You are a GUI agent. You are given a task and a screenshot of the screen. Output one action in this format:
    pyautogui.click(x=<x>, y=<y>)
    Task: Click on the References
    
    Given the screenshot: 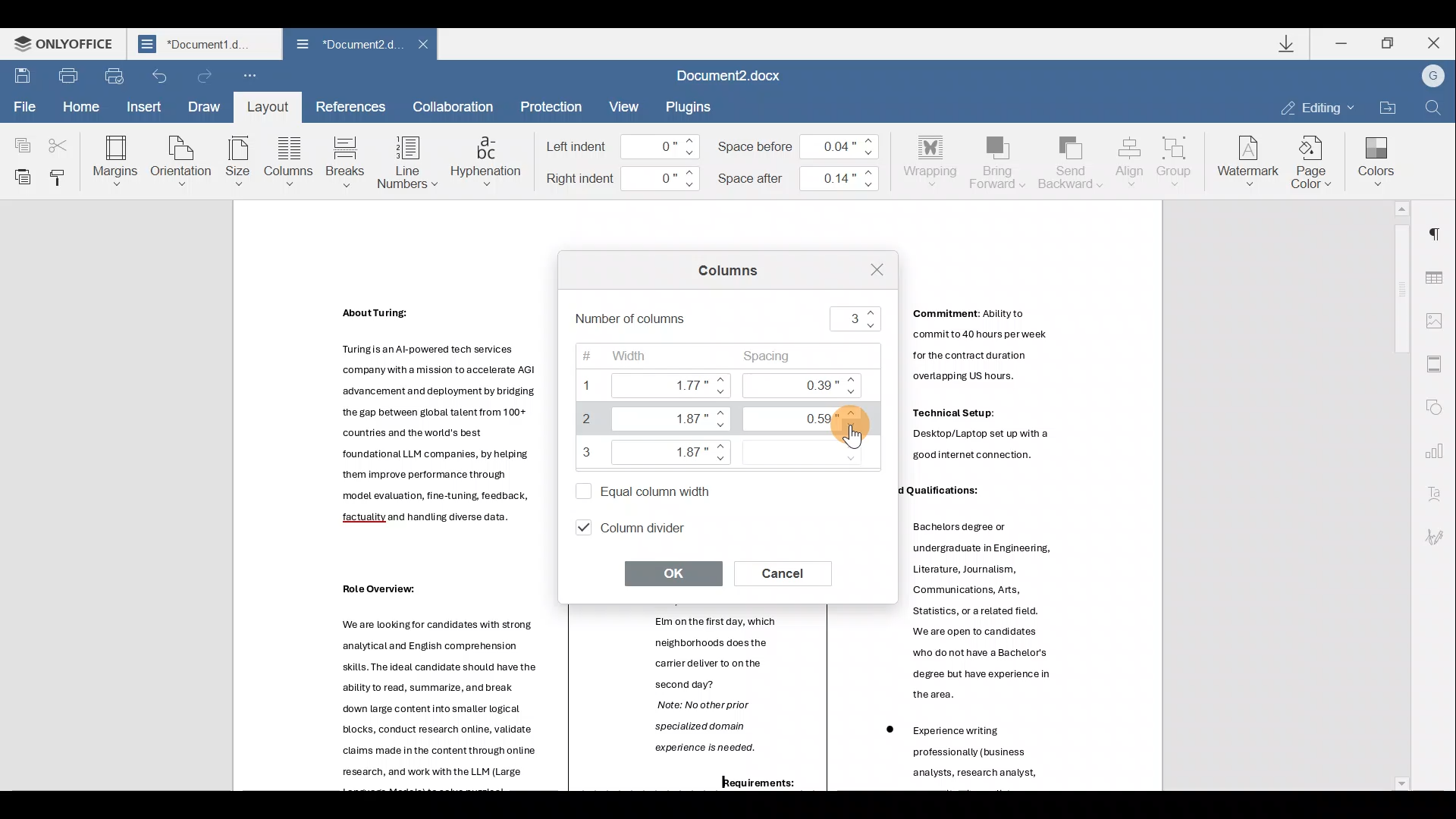 What is the action you would take?
    pyautogui.click(x=352, y=106)
    